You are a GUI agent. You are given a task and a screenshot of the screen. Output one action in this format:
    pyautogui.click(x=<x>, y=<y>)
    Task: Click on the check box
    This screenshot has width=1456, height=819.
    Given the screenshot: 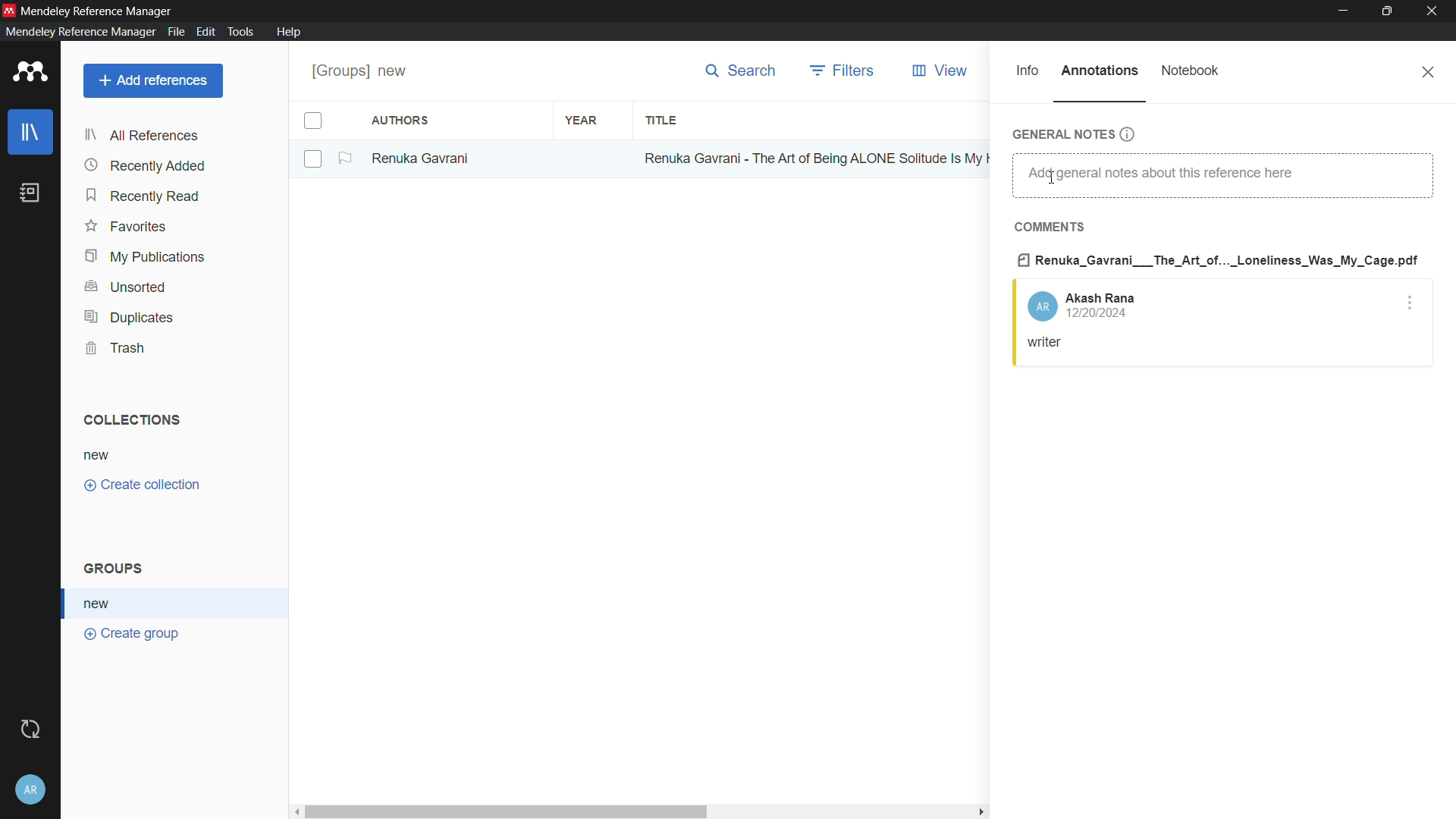 What is the action you would take?
    pyautogui.click(x=313, y=121)
    